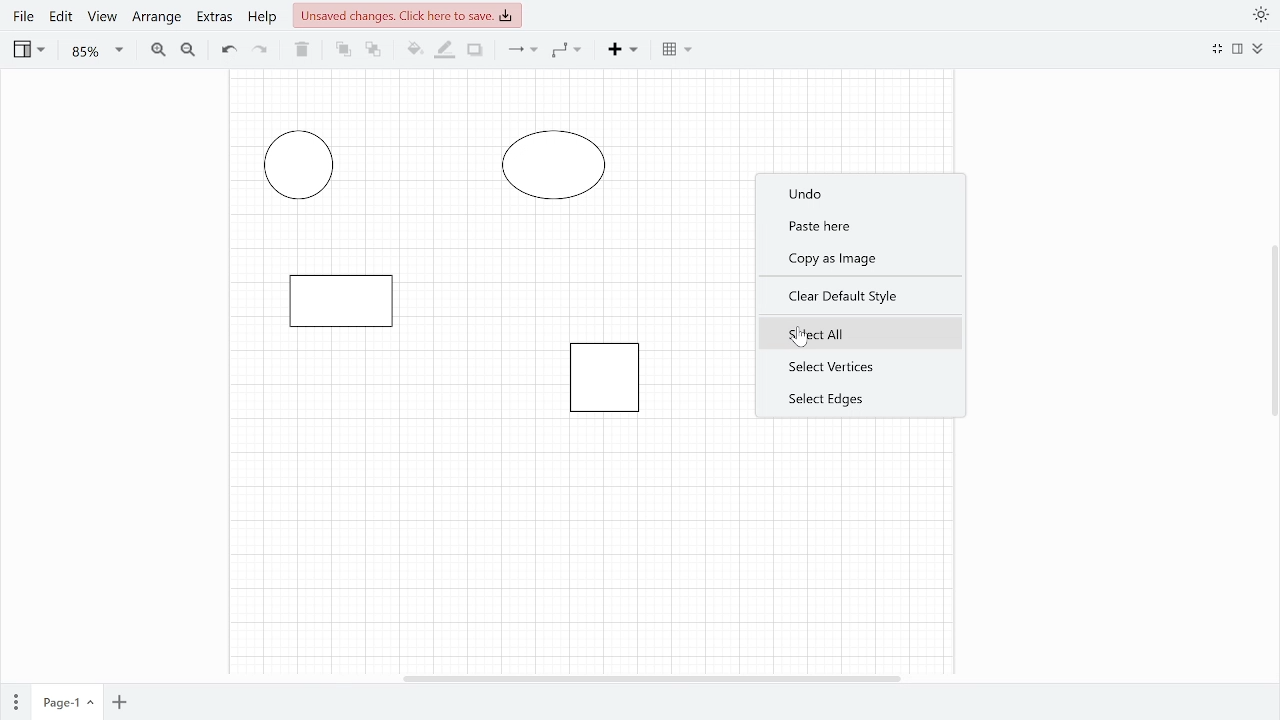  Describe the element at coordinates (474, 51) in the screenshot. I see `Shadow` at that location.